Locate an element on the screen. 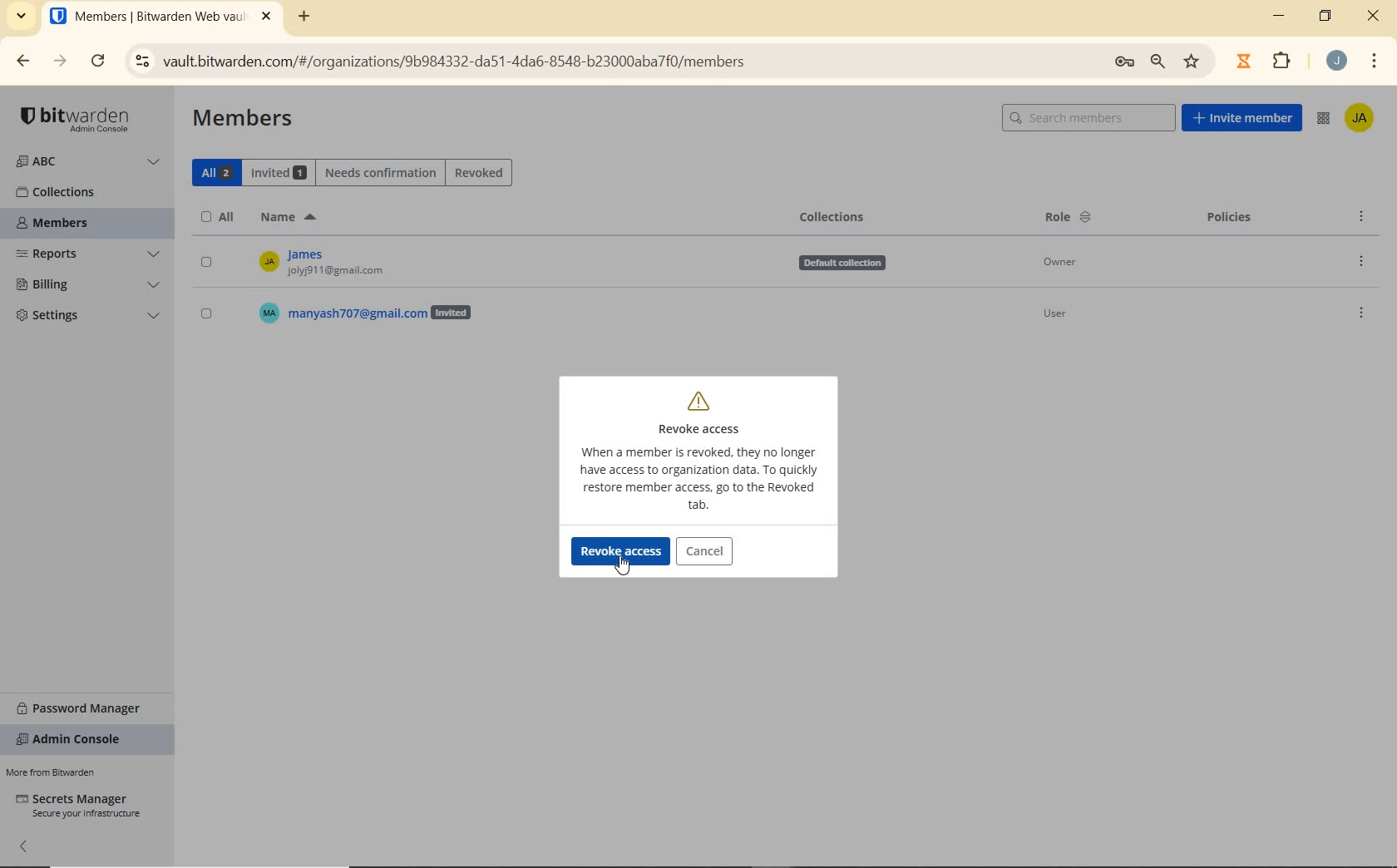   is located at coordinates (218, 217).